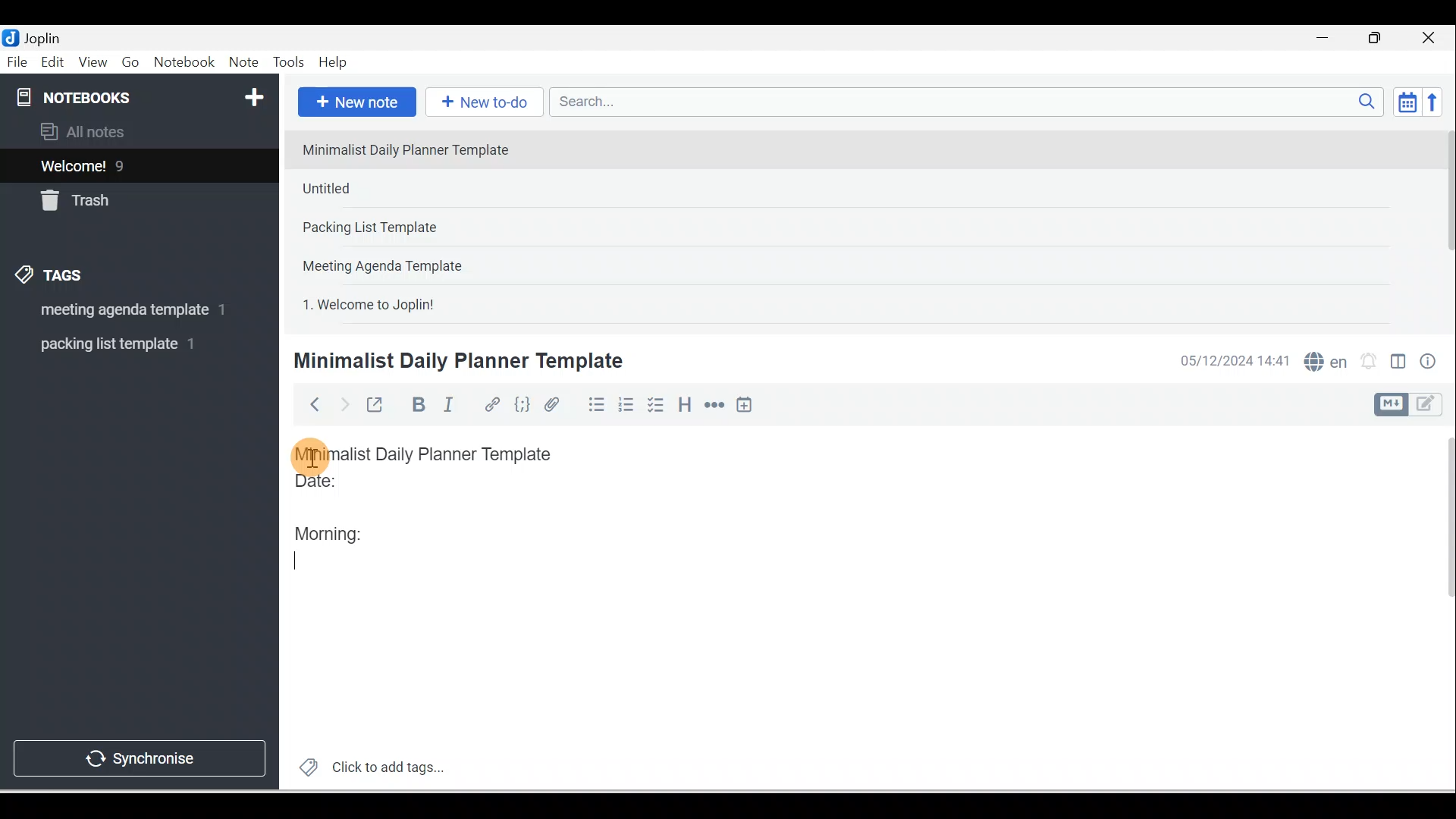 Image resolution: width=1456 pixels, height=819 pixels. I want to click on Cursor, so click(311, 455).